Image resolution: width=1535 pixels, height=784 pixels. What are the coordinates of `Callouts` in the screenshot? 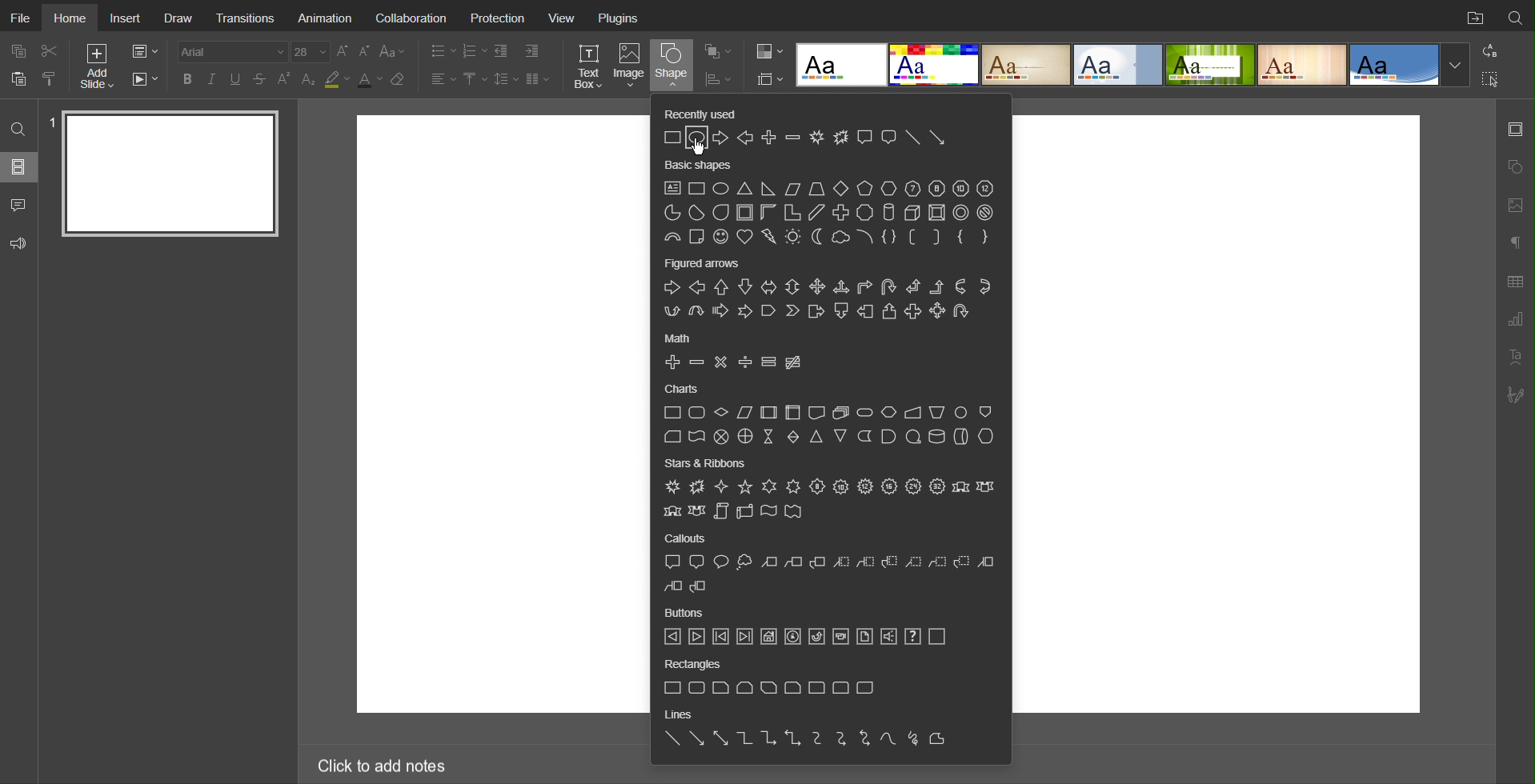 It's located at (825, 566).